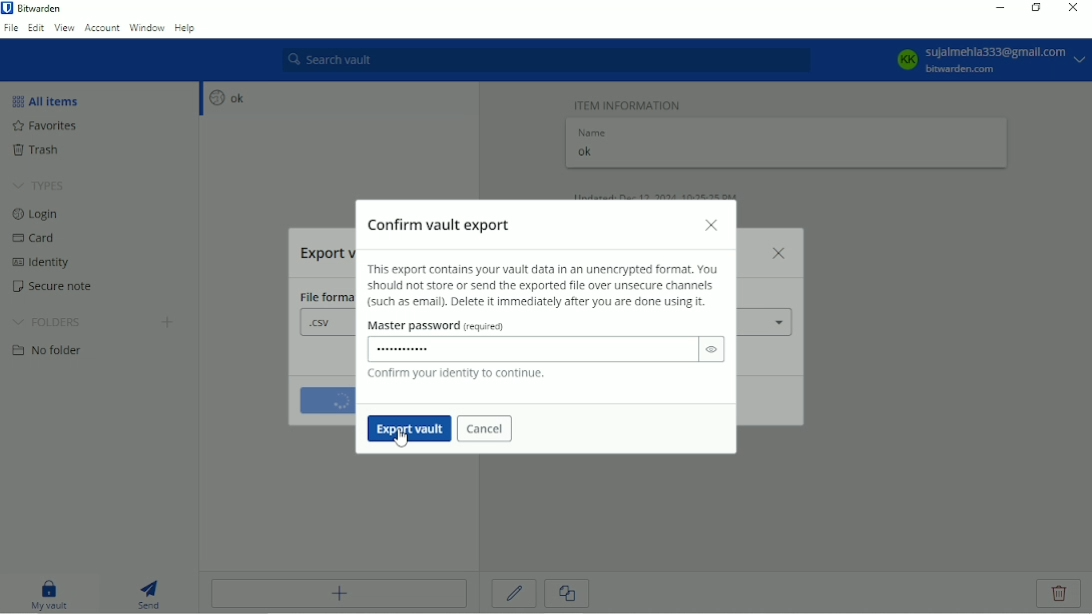 The height and width of the screenshot is (614, 1092). I want to click on Card, so click(38, 240).